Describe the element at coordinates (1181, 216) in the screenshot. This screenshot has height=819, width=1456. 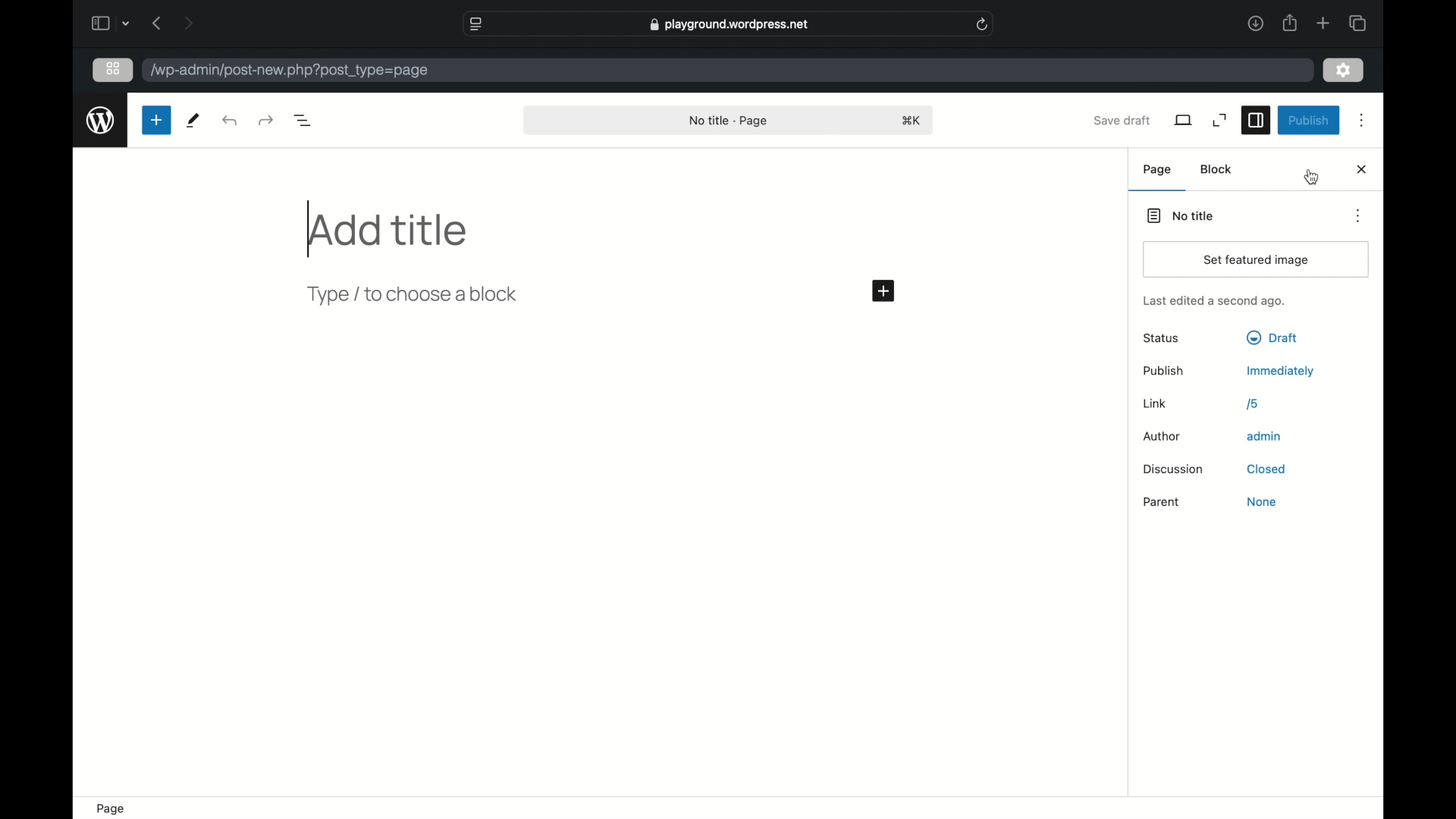
I see `no title` at that location.